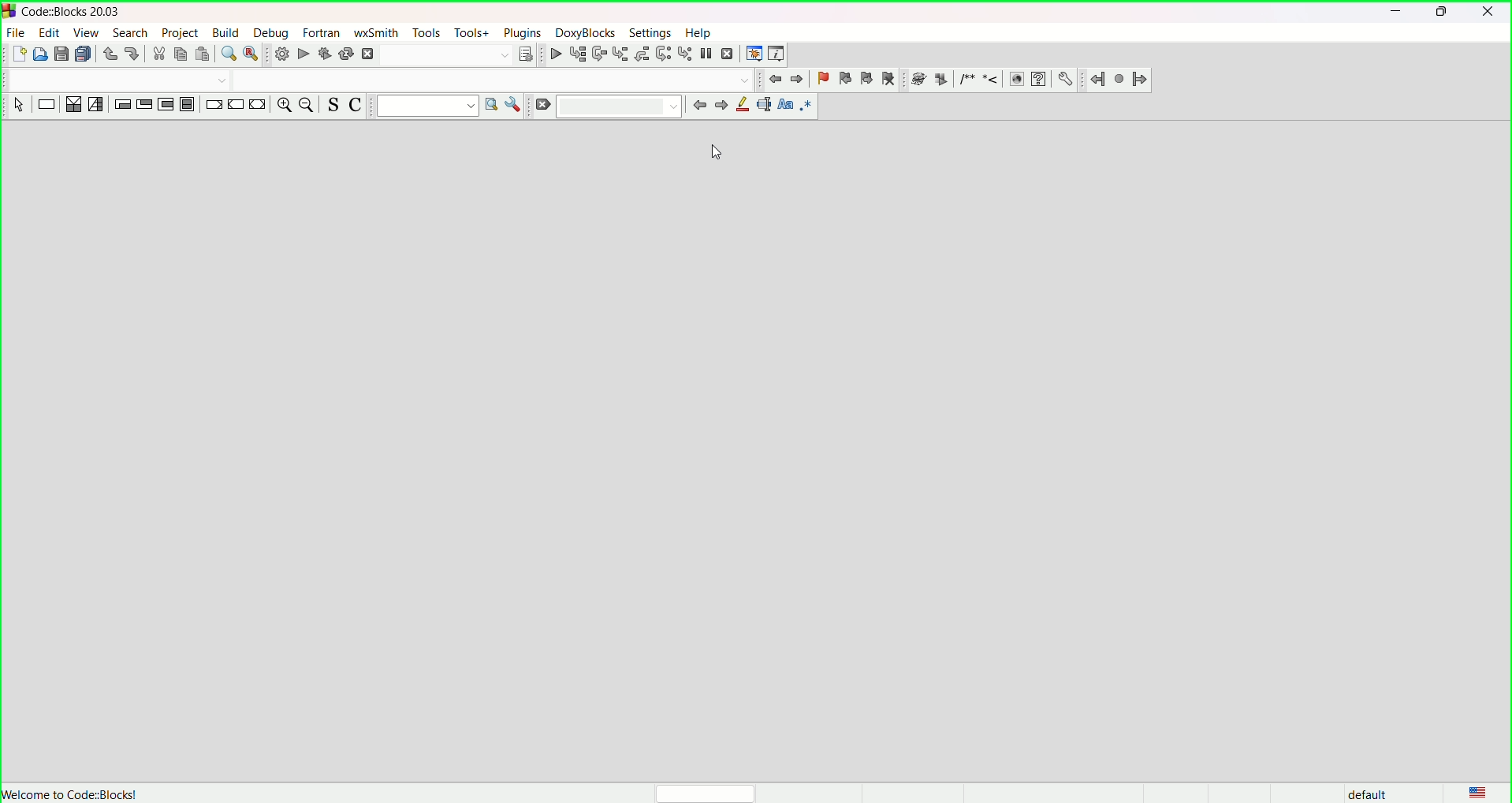 The width and height of the screenshot is (1512, 803). What do you see at coordinates (377, 80) in the screenshot?
I see `Code completion compiler` at bounding box center [377, 80].